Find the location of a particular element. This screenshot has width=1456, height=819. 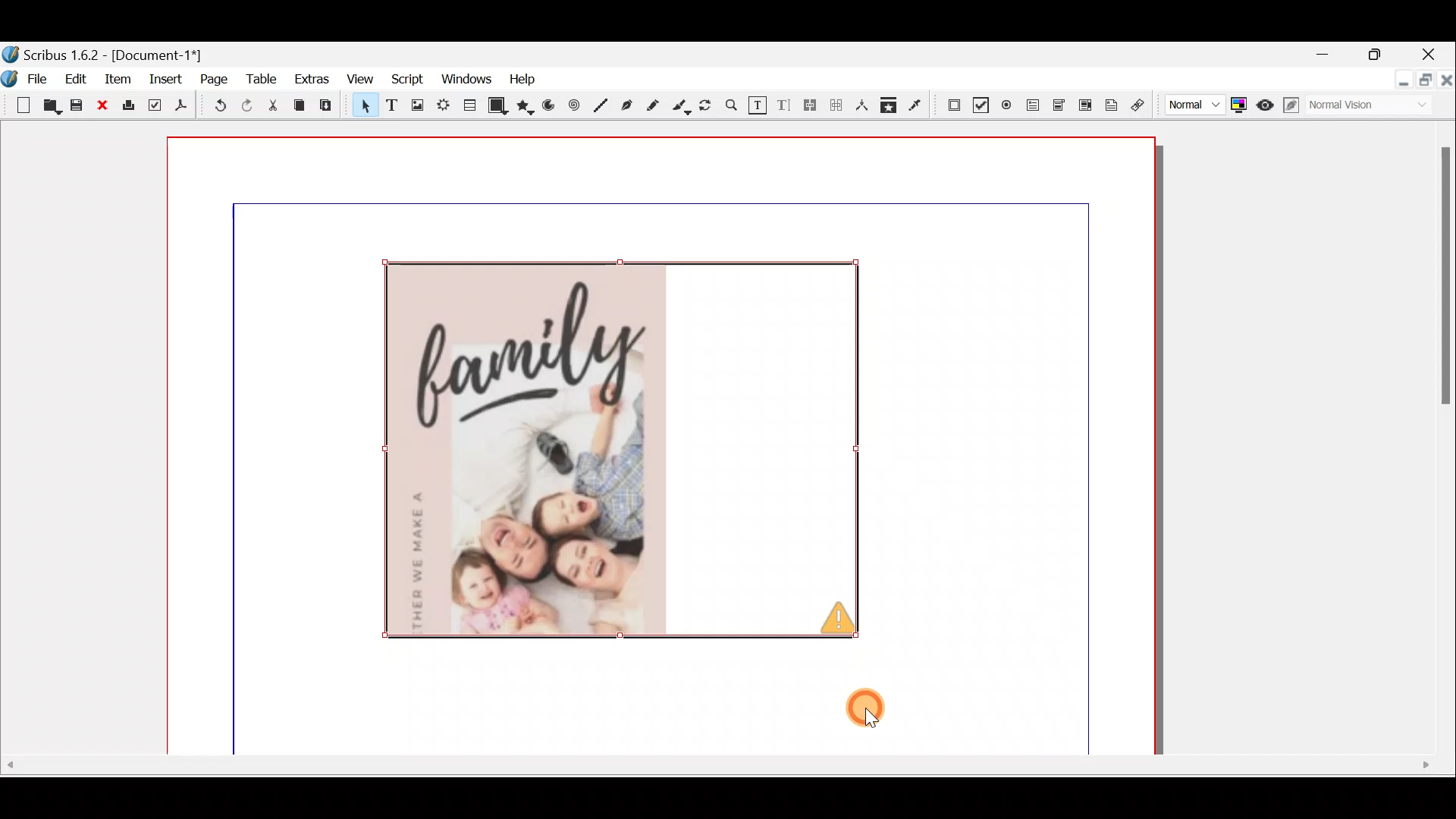

Text annotation is located at coordinates (1109, 103).